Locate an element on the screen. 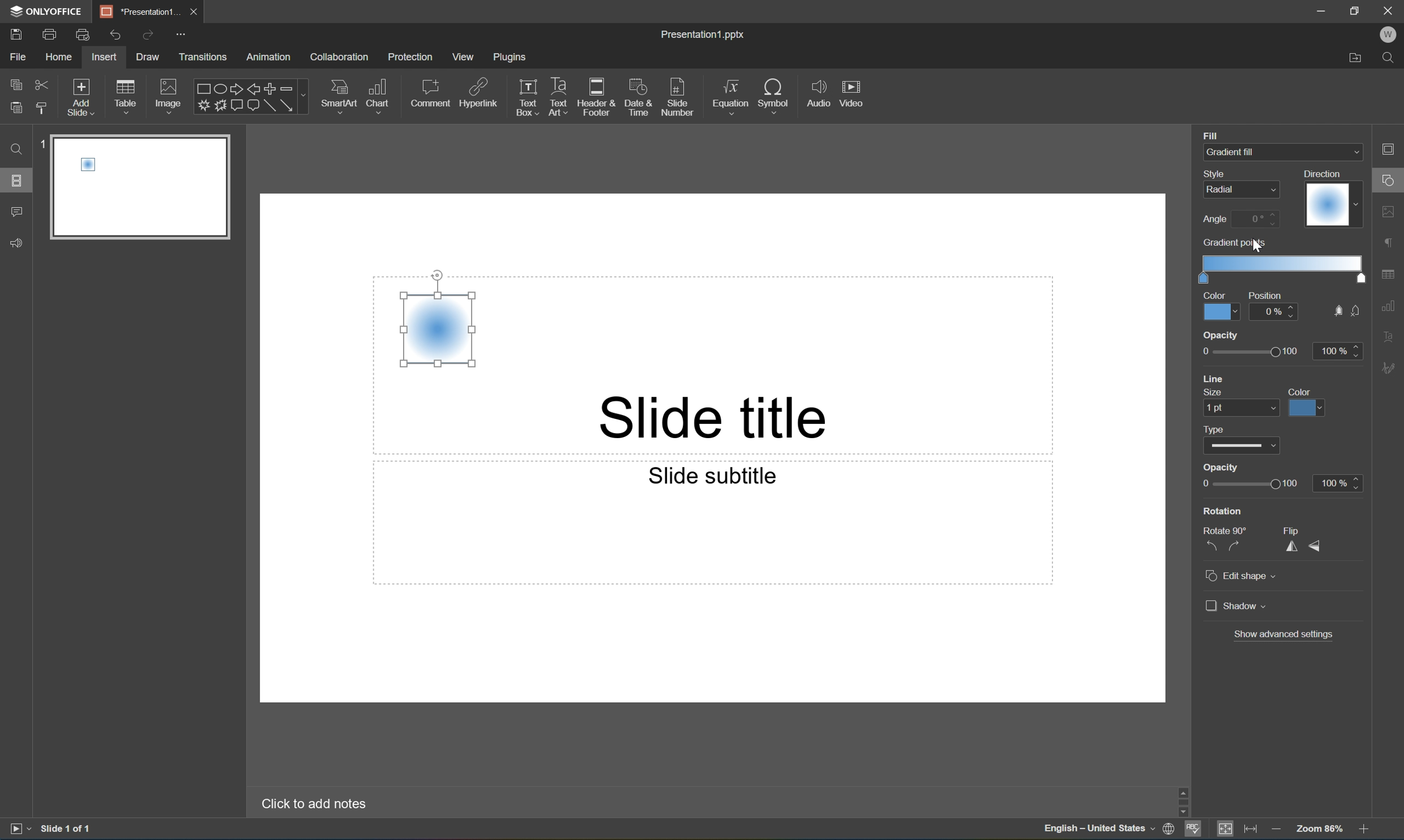 The width and height of the screenshot is (1404, 840). 100% is located at coordinates (1338, 485).